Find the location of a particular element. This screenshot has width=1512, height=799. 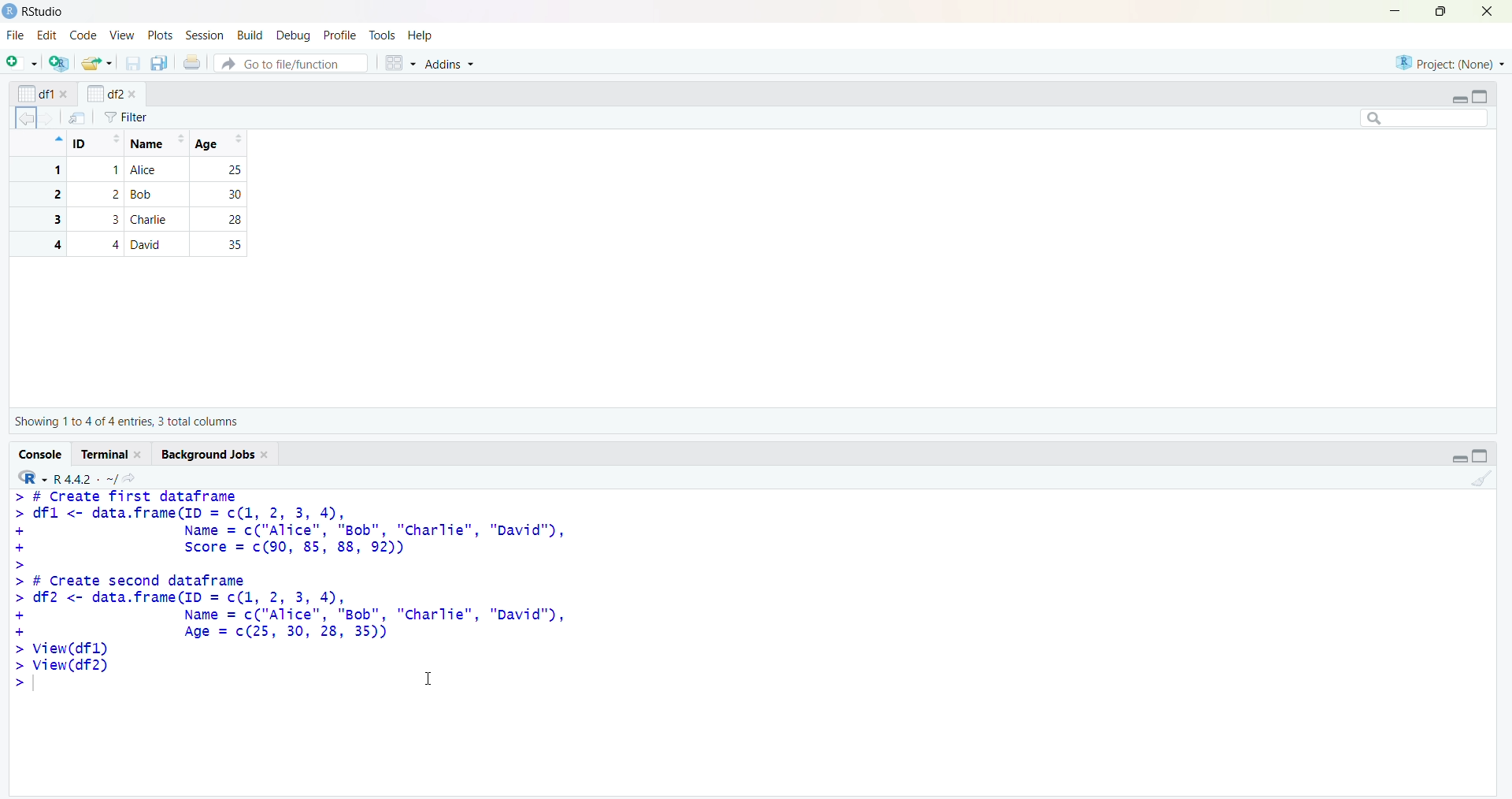

backward is located at coordinates (25, 118).